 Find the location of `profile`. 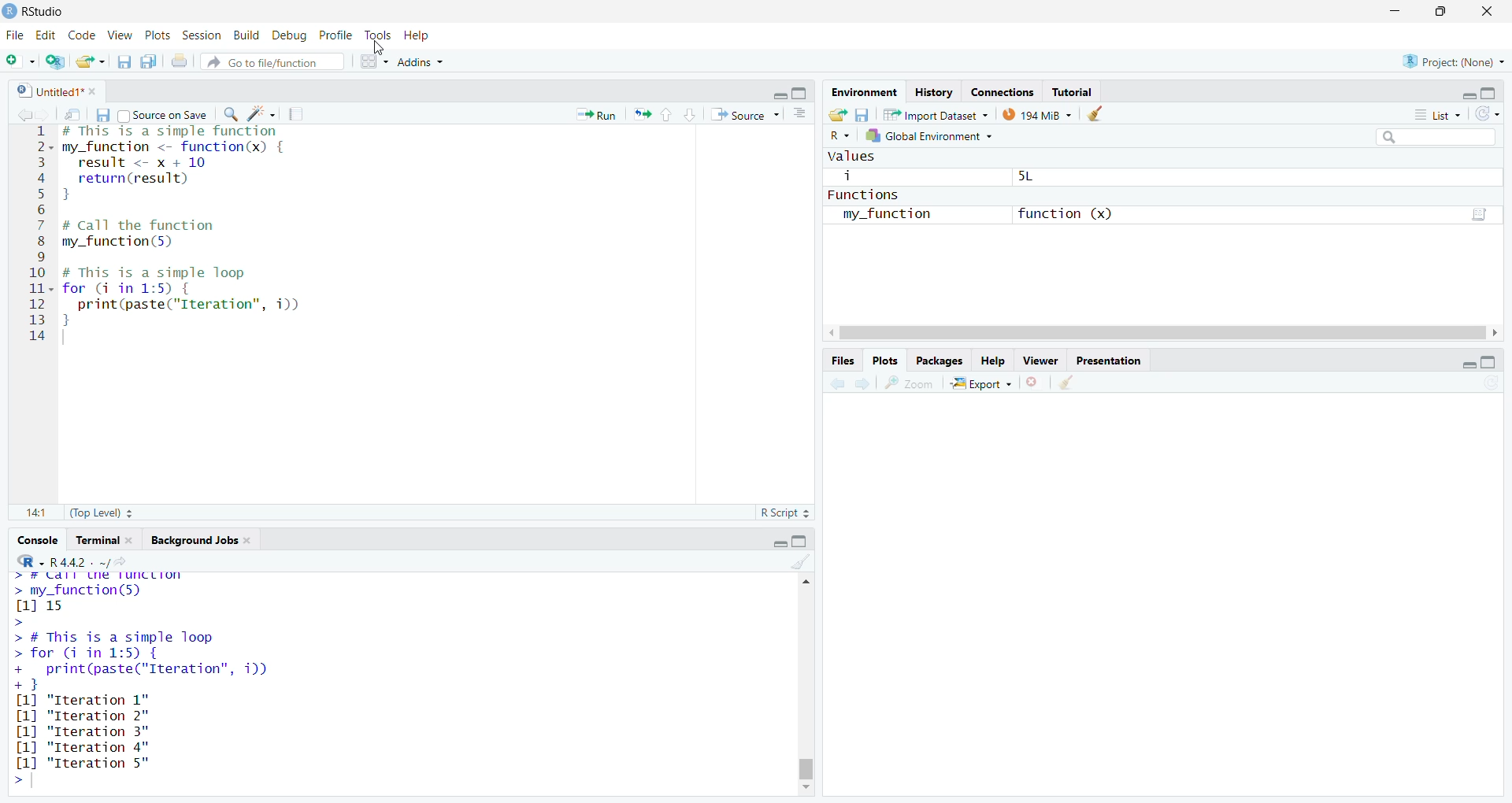

profile is located at coordinates (339, 34).